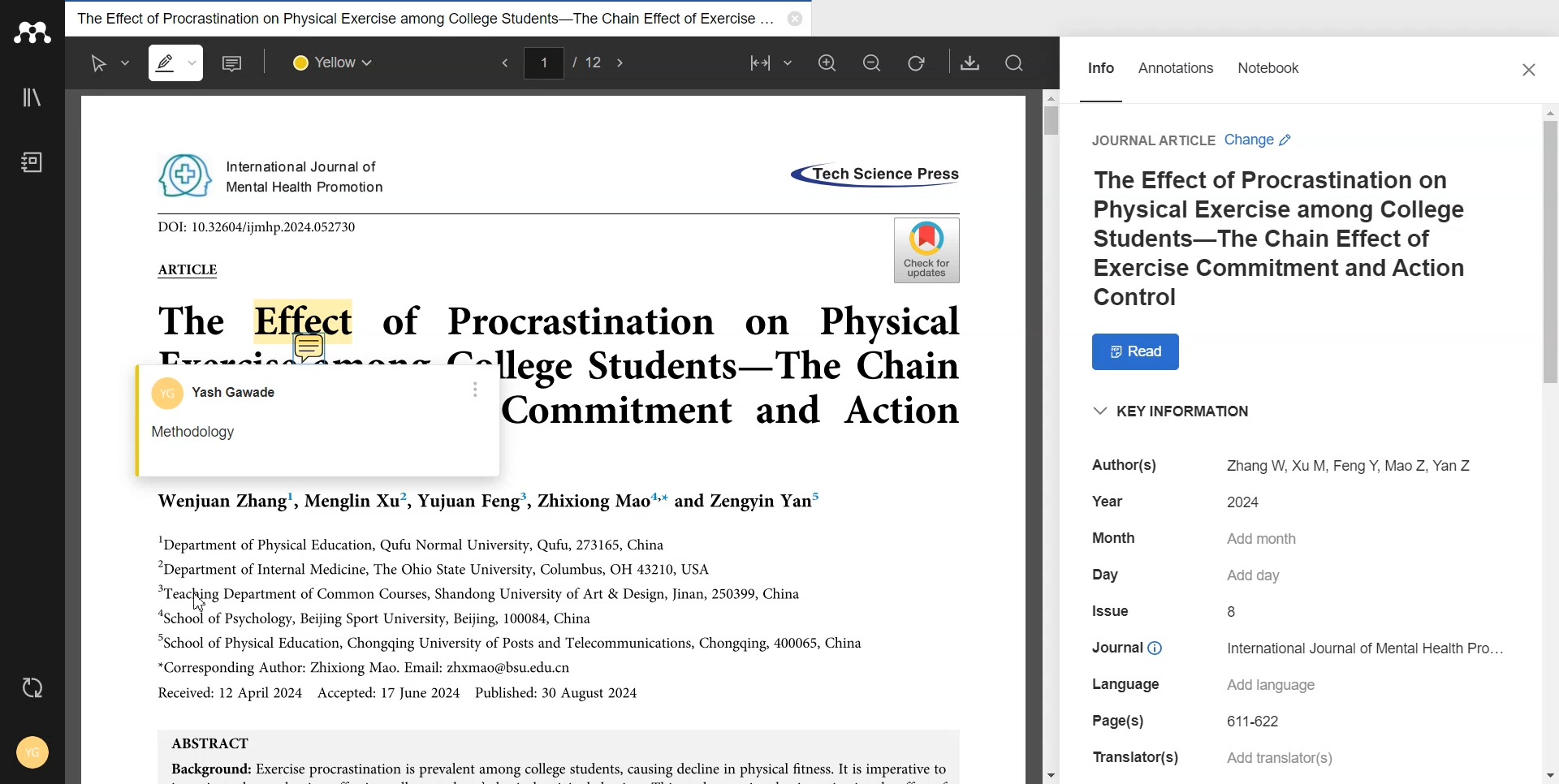  I want to click on Previous, so click(502, 62).